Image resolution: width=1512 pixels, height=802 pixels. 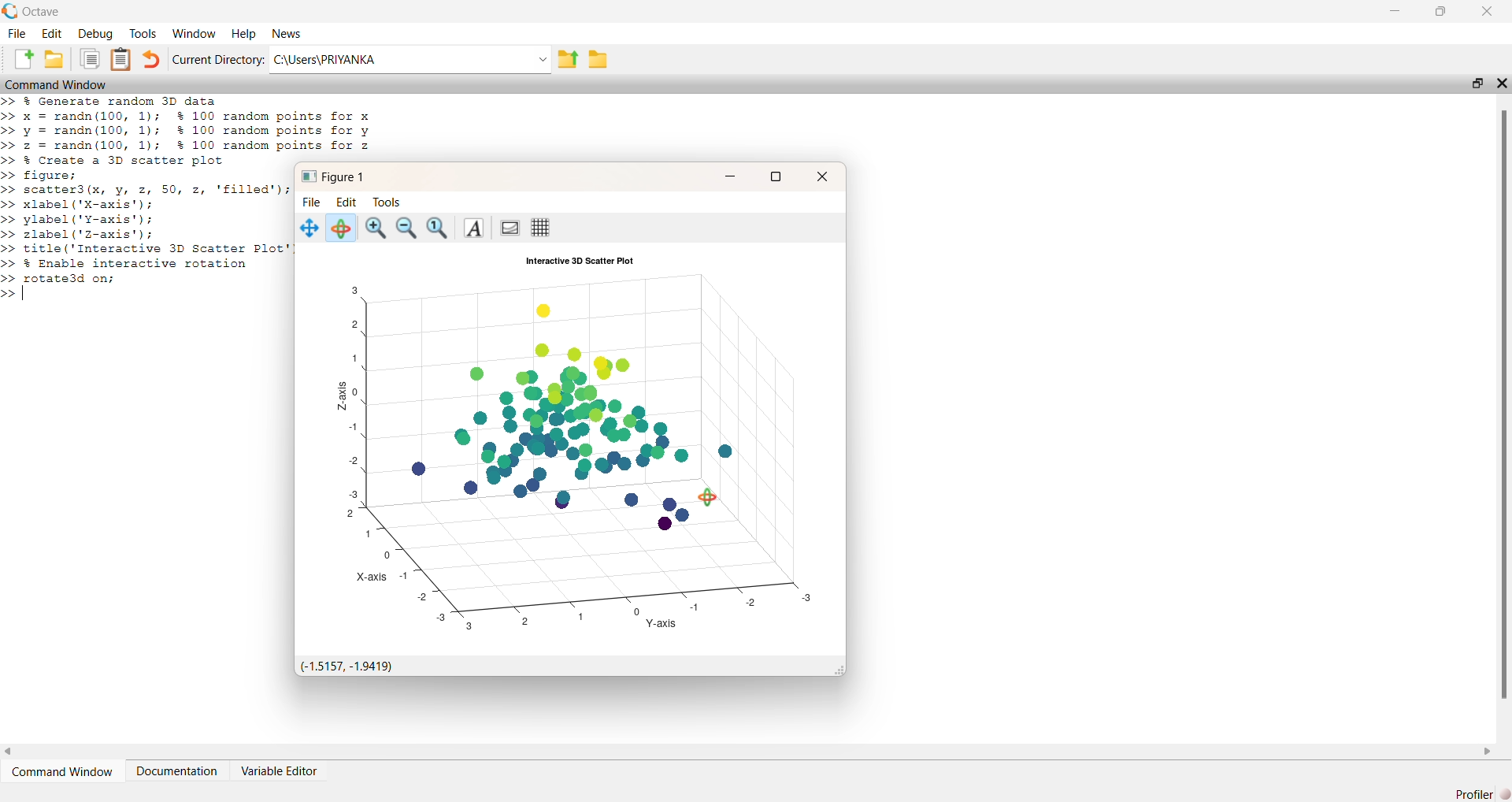 I want to click on Profiler, so click(x=1481, y=793).